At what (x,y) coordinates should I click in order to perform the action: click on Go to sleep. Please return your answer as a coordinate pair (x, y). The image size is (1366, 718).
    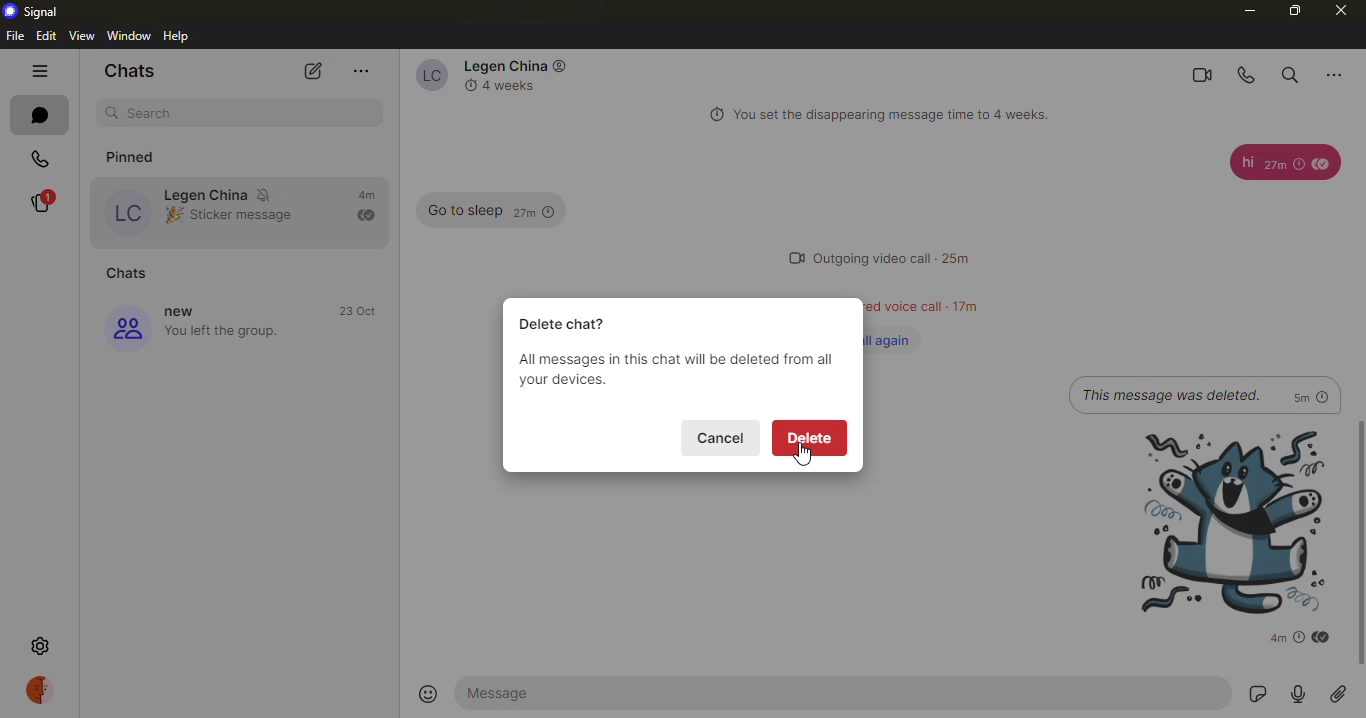
    Looking at the image, I should click on (460, 211).